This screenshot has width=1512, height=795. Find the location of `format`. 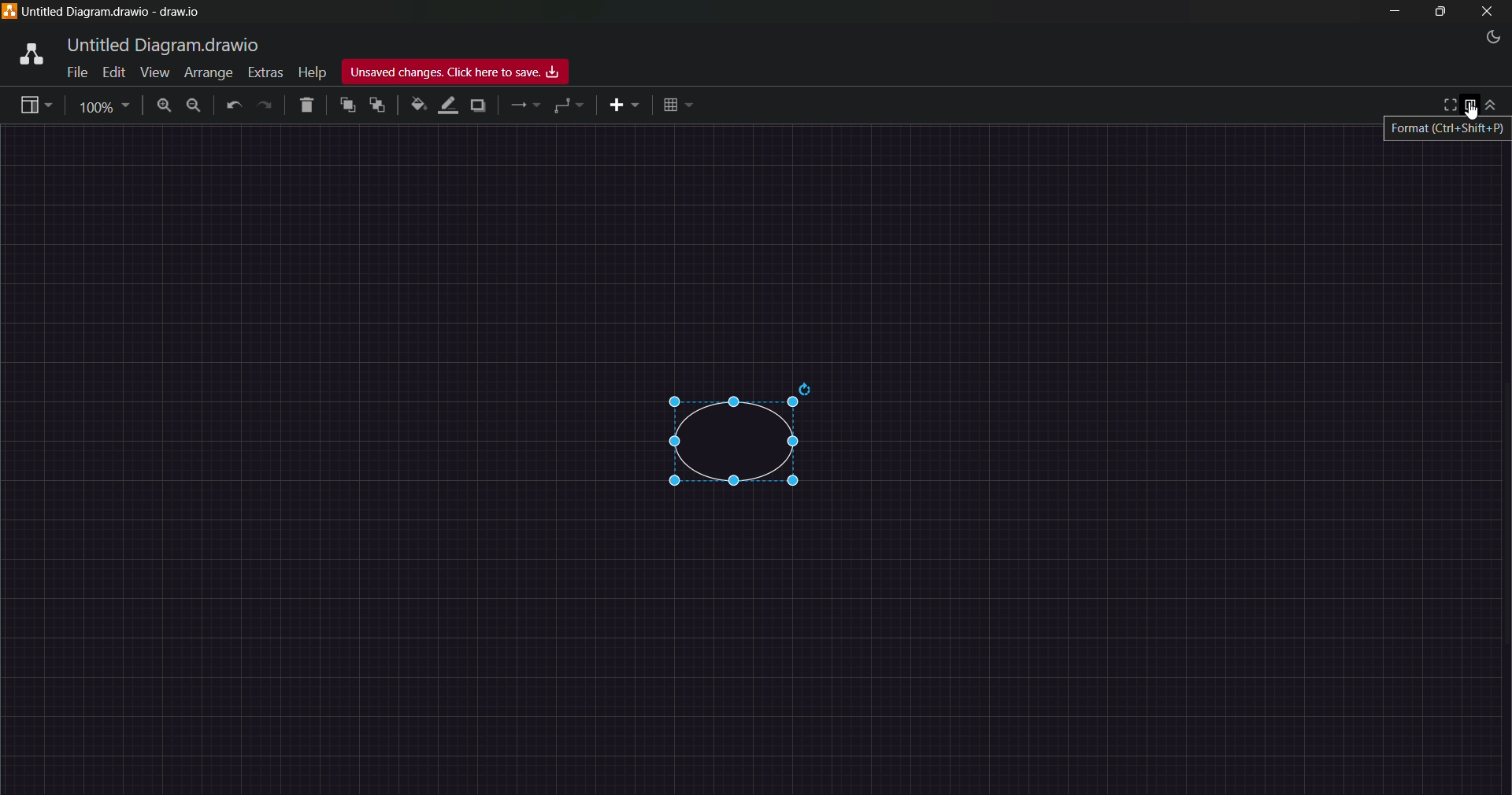

format is located at coordinates (1471, 104).